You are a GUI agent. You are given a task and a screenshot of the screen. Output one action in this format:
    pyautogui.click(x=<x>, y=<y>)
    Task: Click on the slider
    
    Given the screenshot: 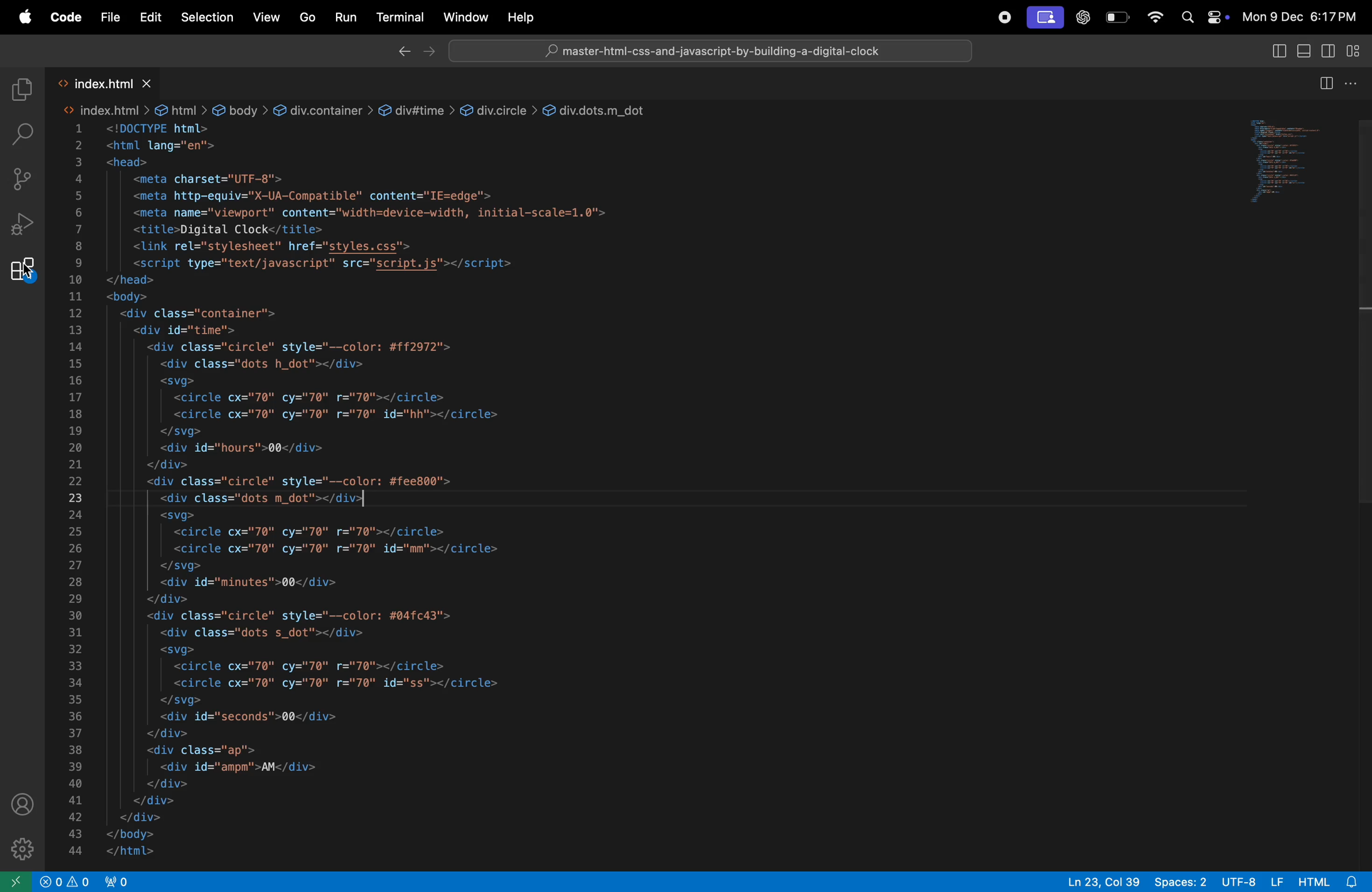 What is the action you would take?
    pyautogui.click(x=1363, y=322)
    